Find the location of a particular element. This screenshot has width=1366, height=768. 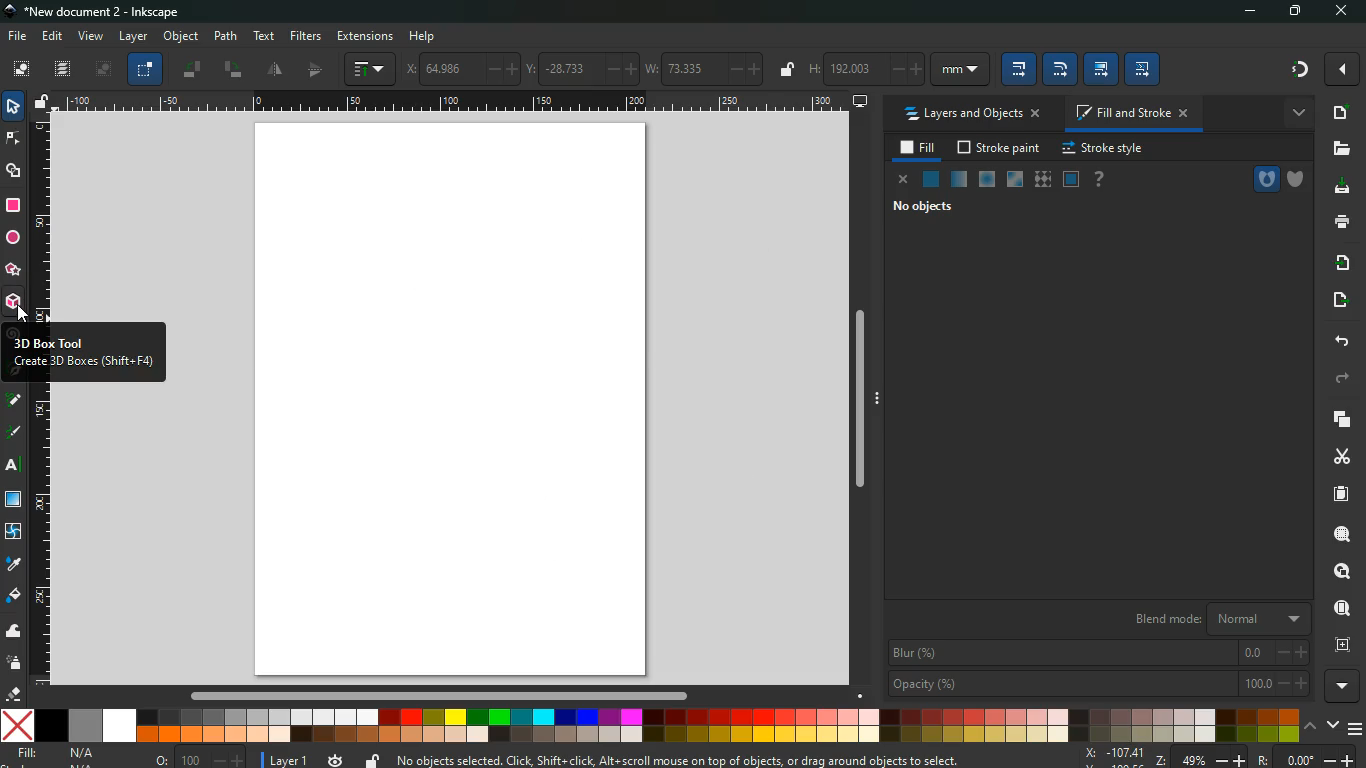

receive is located at coordinates (1337, 262).